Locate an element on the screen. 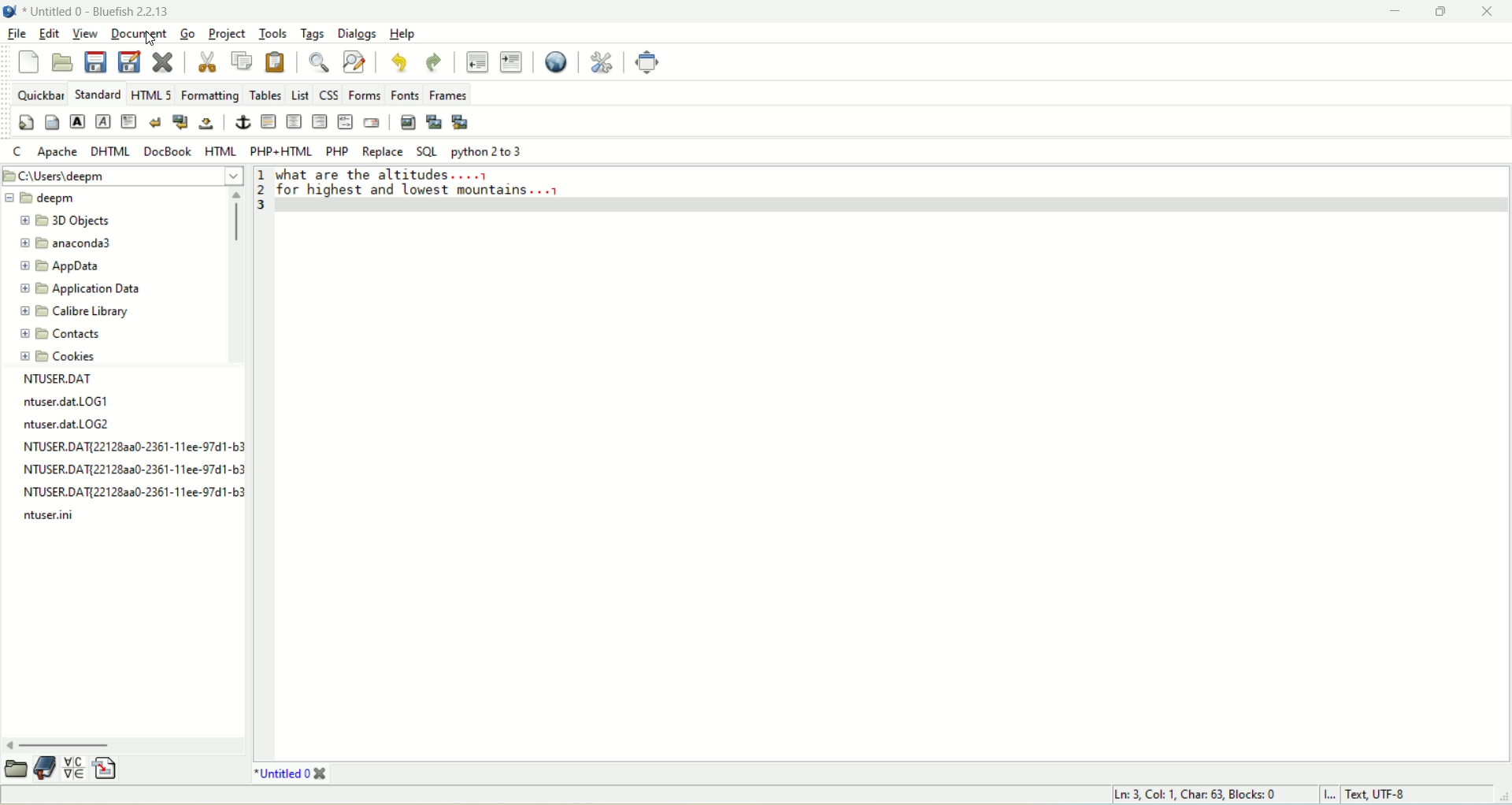  ln, col, char, blocks is located at coordinates (1197, 795).